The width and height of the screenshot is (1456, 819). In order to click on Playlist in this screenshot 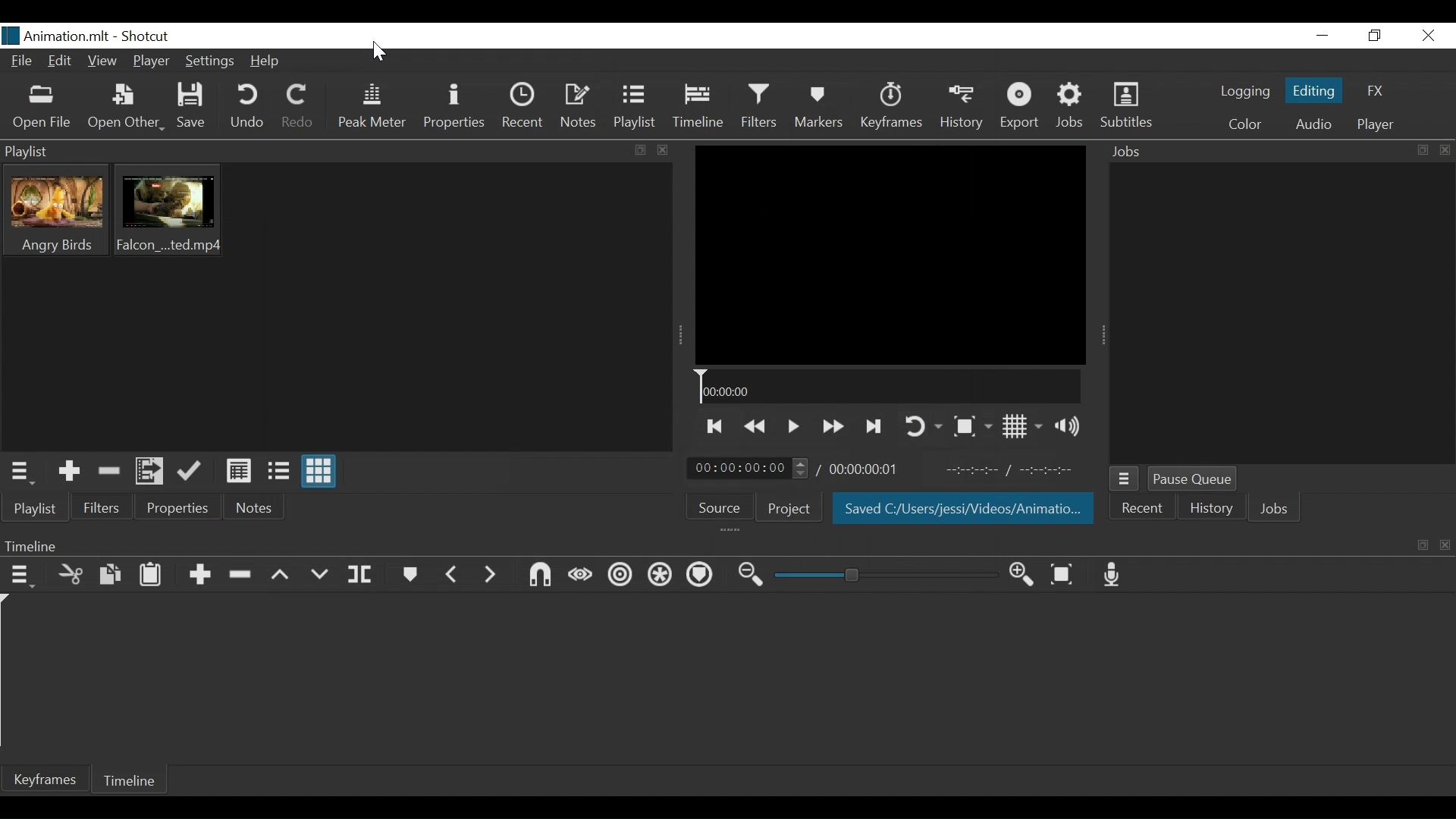, I will do `click(37, 510)`.